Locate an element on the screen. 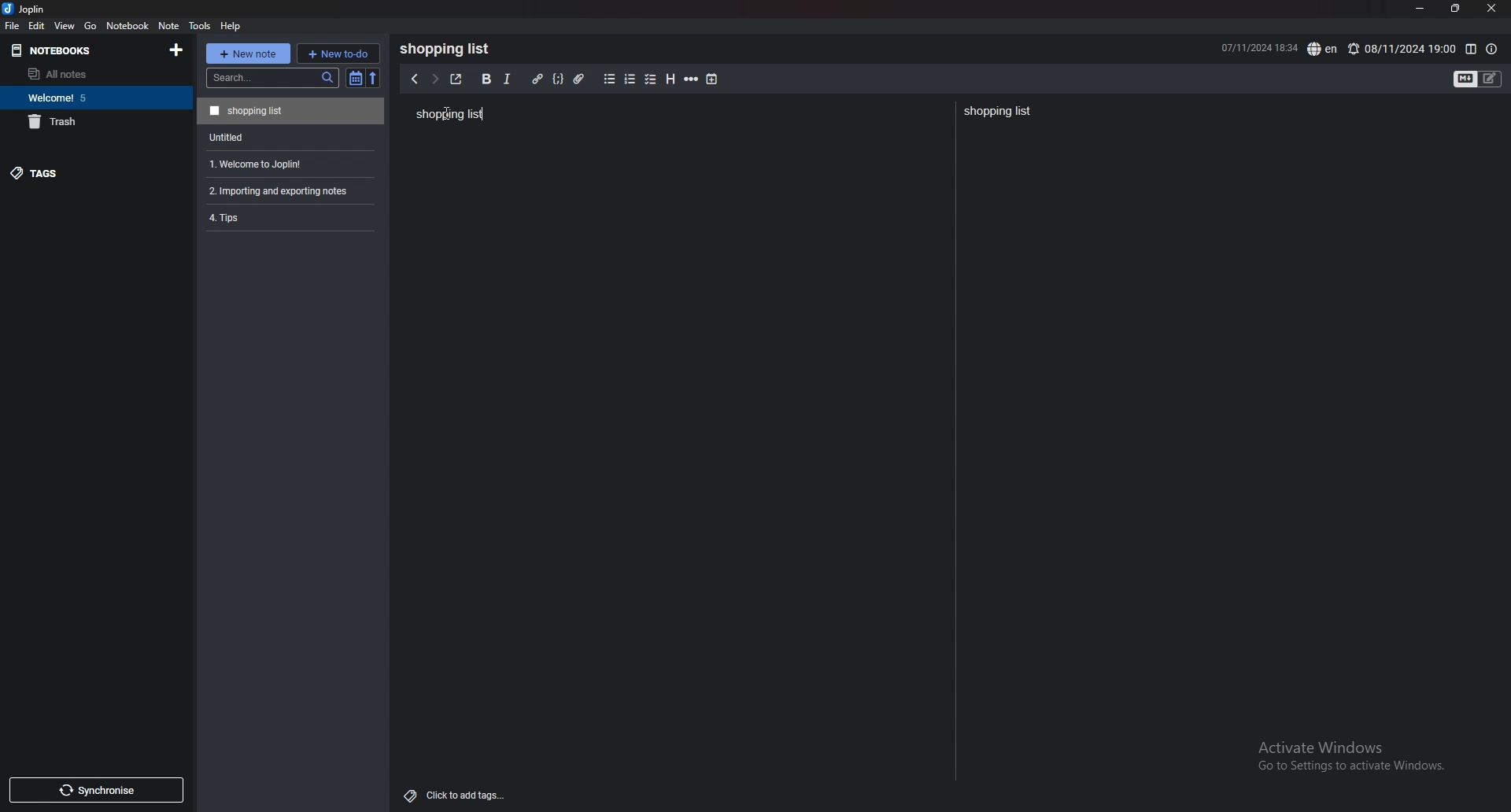 This screenshot has width=1511, height=812. italic is located at coordinates (508, 79).